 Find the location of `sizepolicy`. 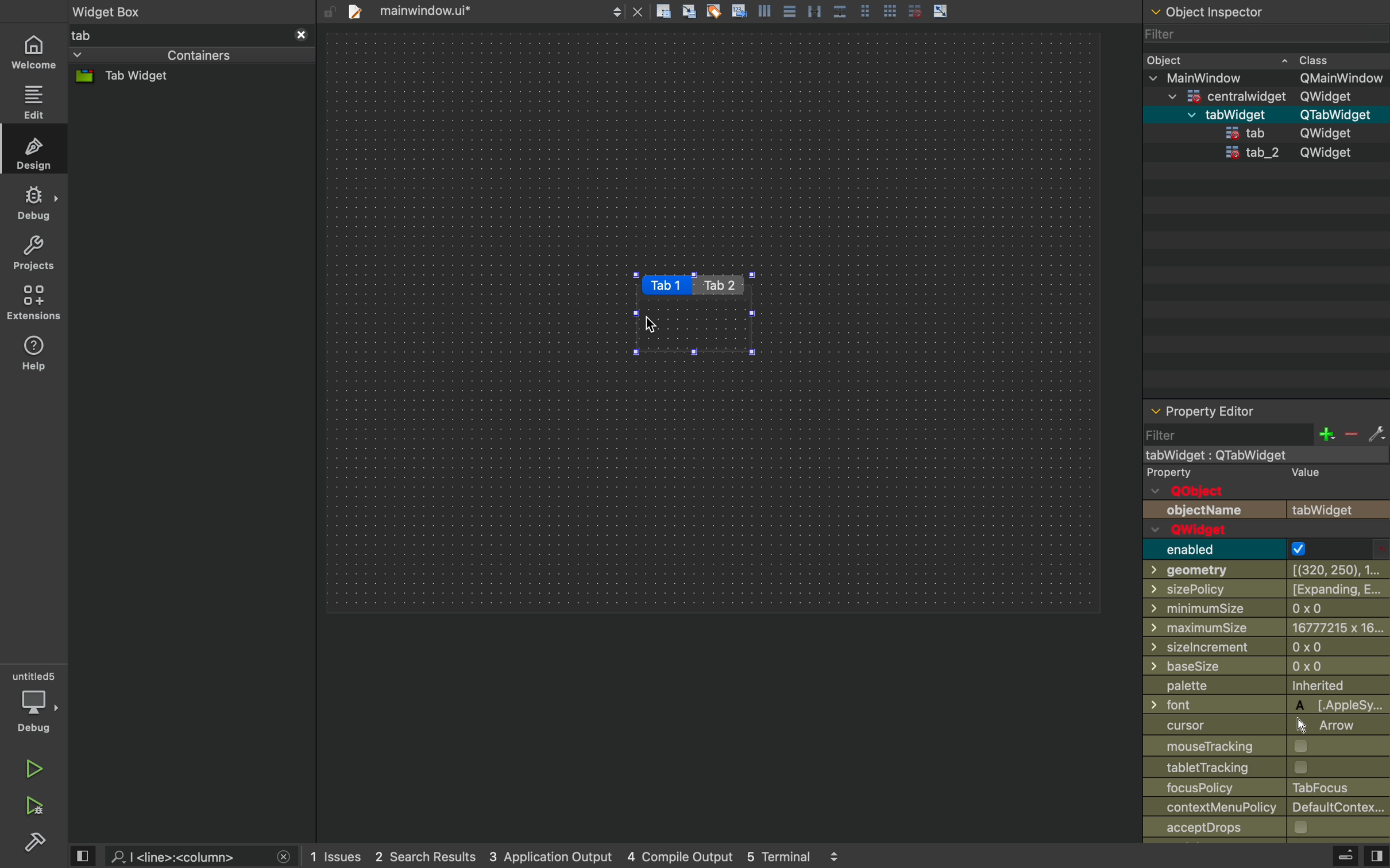

sizepolicy is located at coordinates (1265, 591).